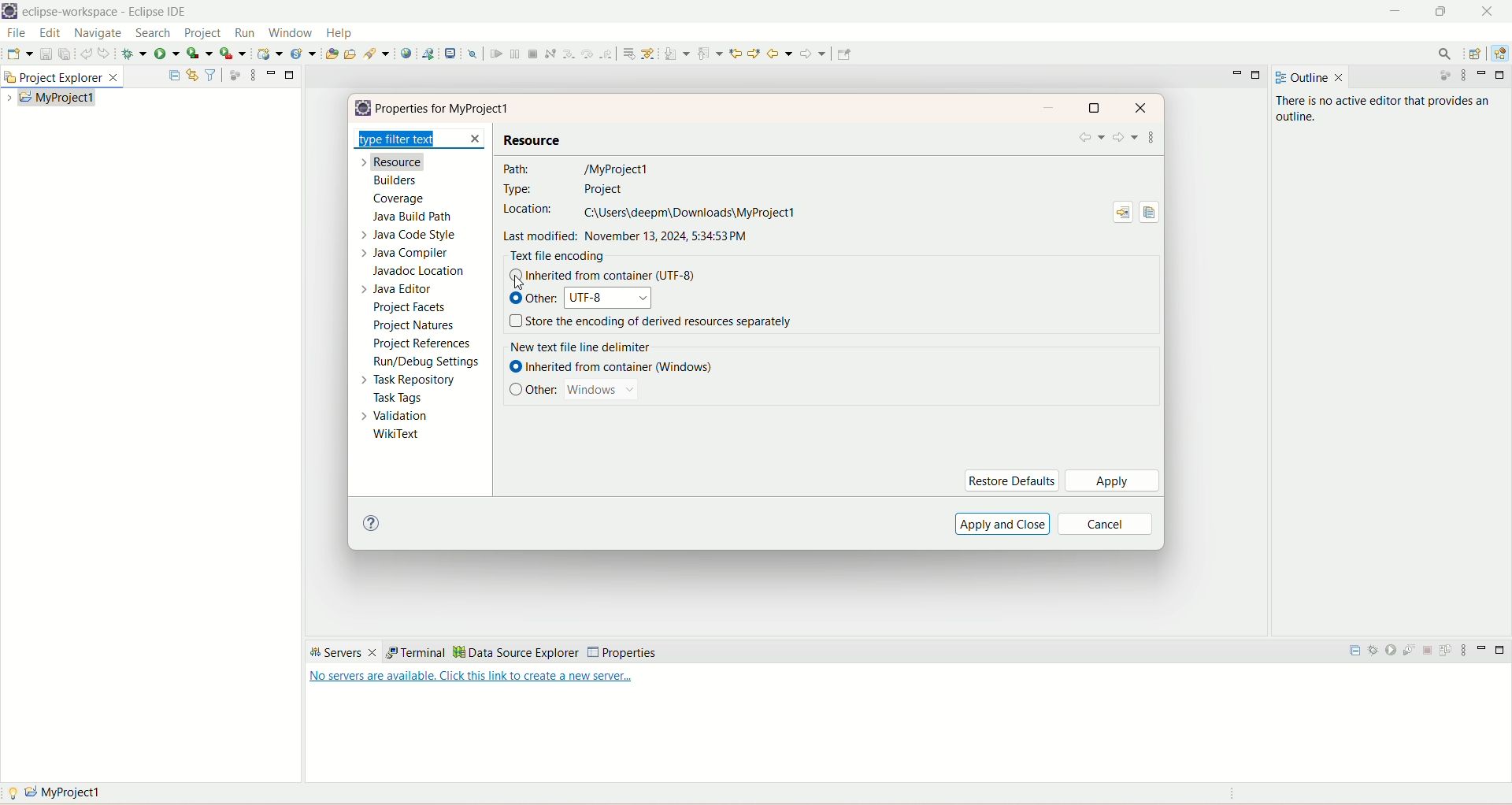 The height and width of the screenshot is (805, 1512). I want to click on project natures, so click(416, 328).